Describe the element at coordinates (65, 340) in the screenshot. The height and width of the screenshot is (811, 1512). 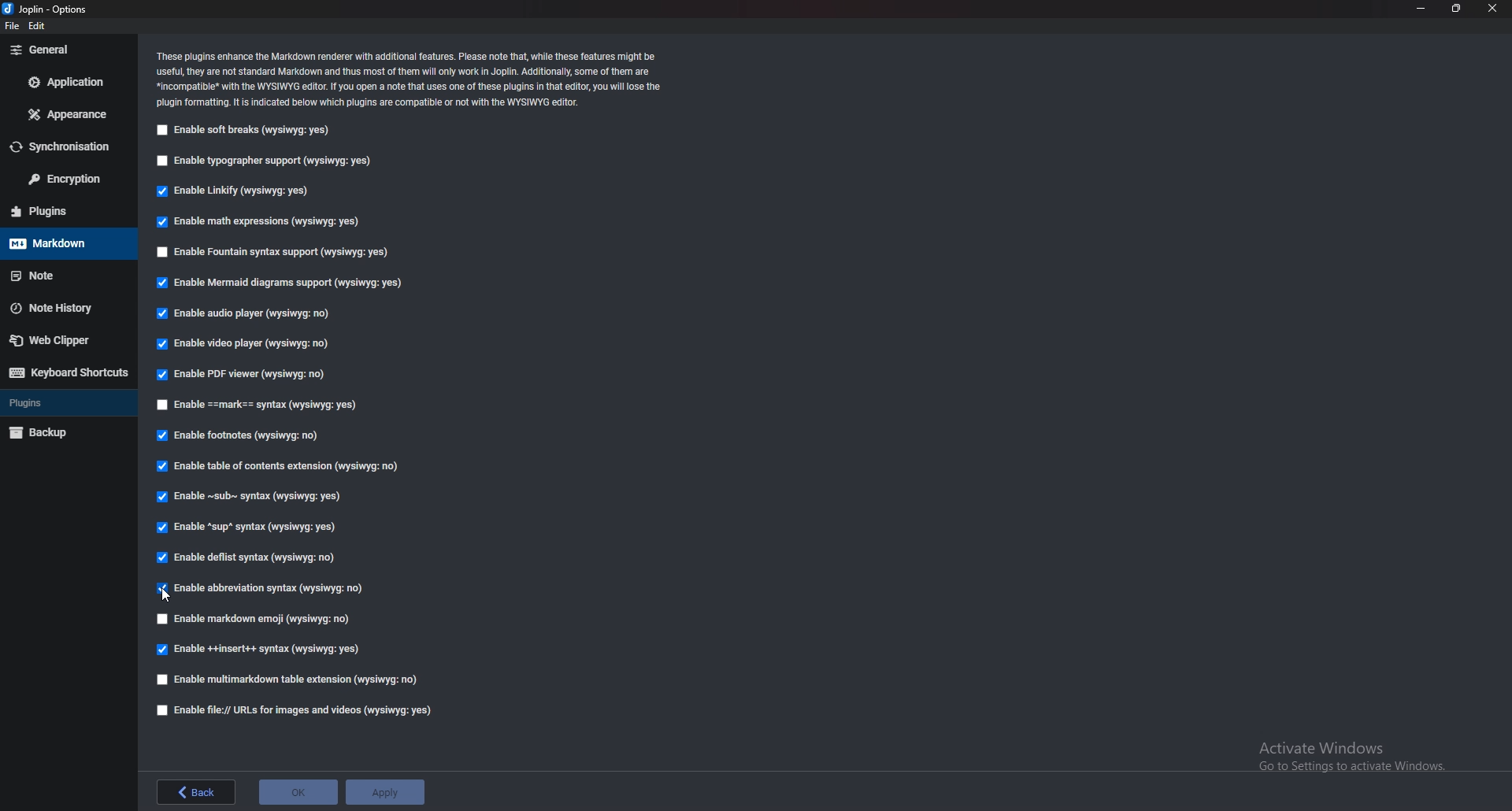
I see `Web Clipper` at that location.